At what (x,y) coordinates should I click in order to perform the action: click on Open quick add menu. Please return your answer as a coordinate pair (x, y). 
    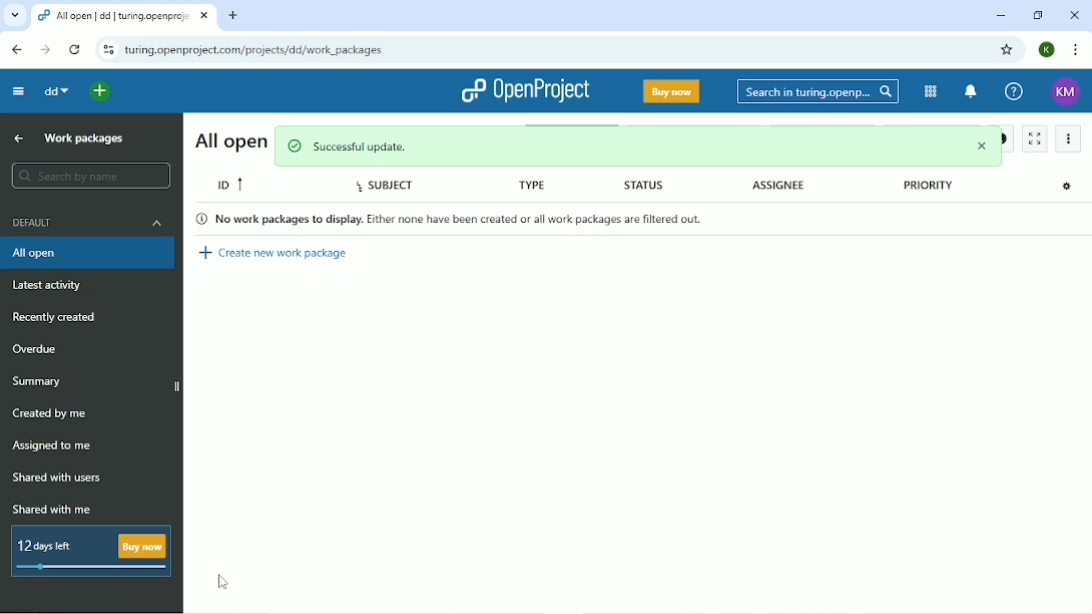
    Looking at the image, I should click on (101, 93).